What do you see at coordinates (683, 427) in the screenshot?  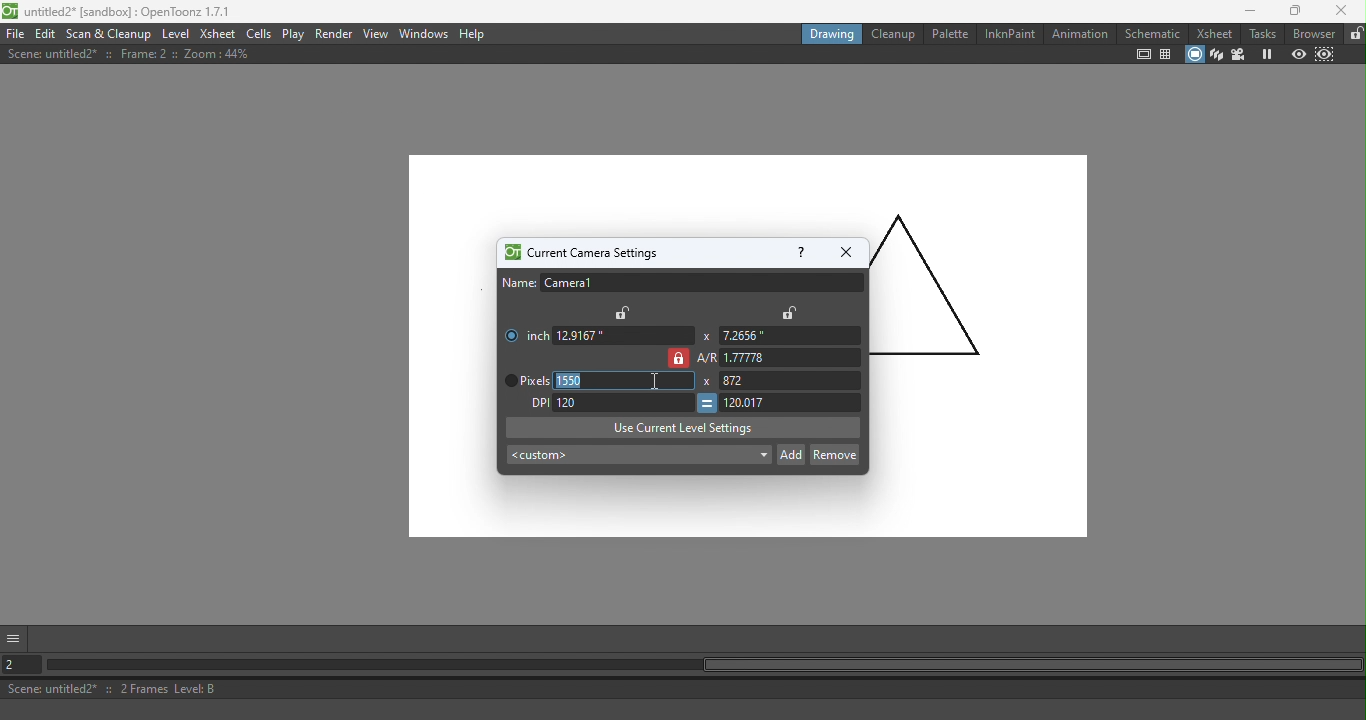 I see `Use current level settings` at bounding box center [683, 427].